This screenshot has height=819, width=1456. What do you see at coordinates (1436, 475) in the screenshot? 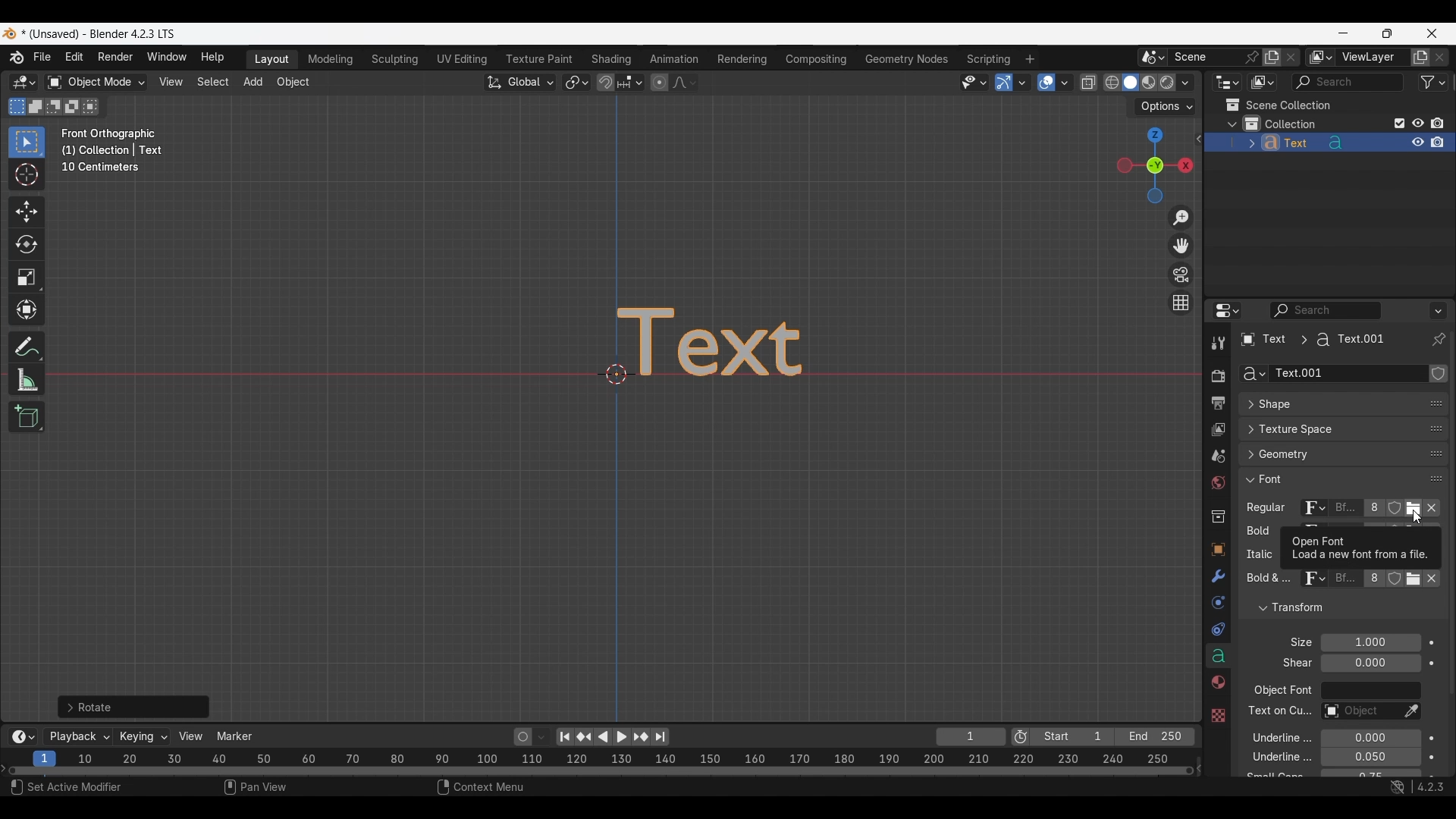
I see `Change position in the list ` at bounding box center [1436, 475].